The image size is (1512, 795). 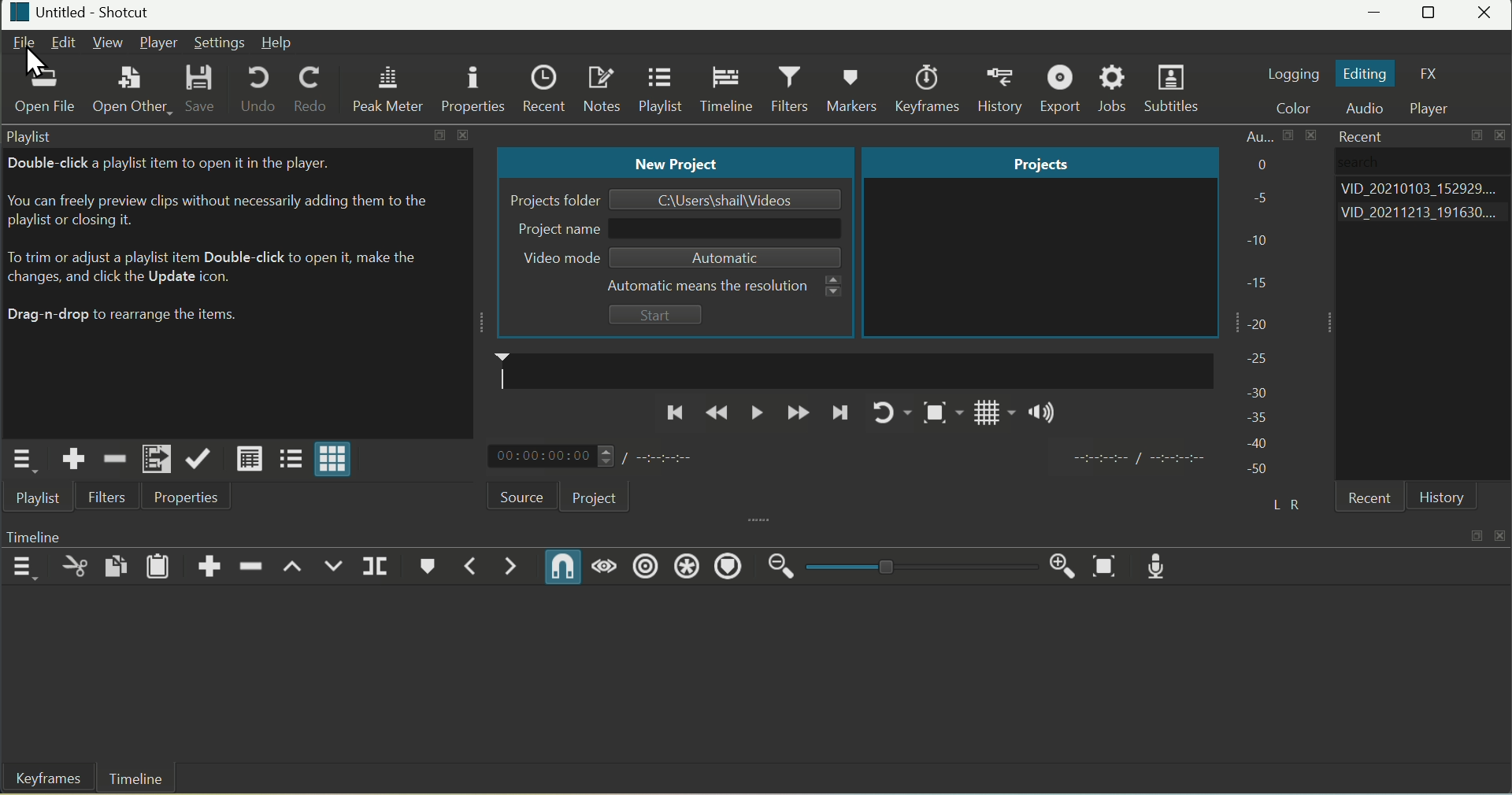 I want to click on Sound, so click(x=1043, y=416).